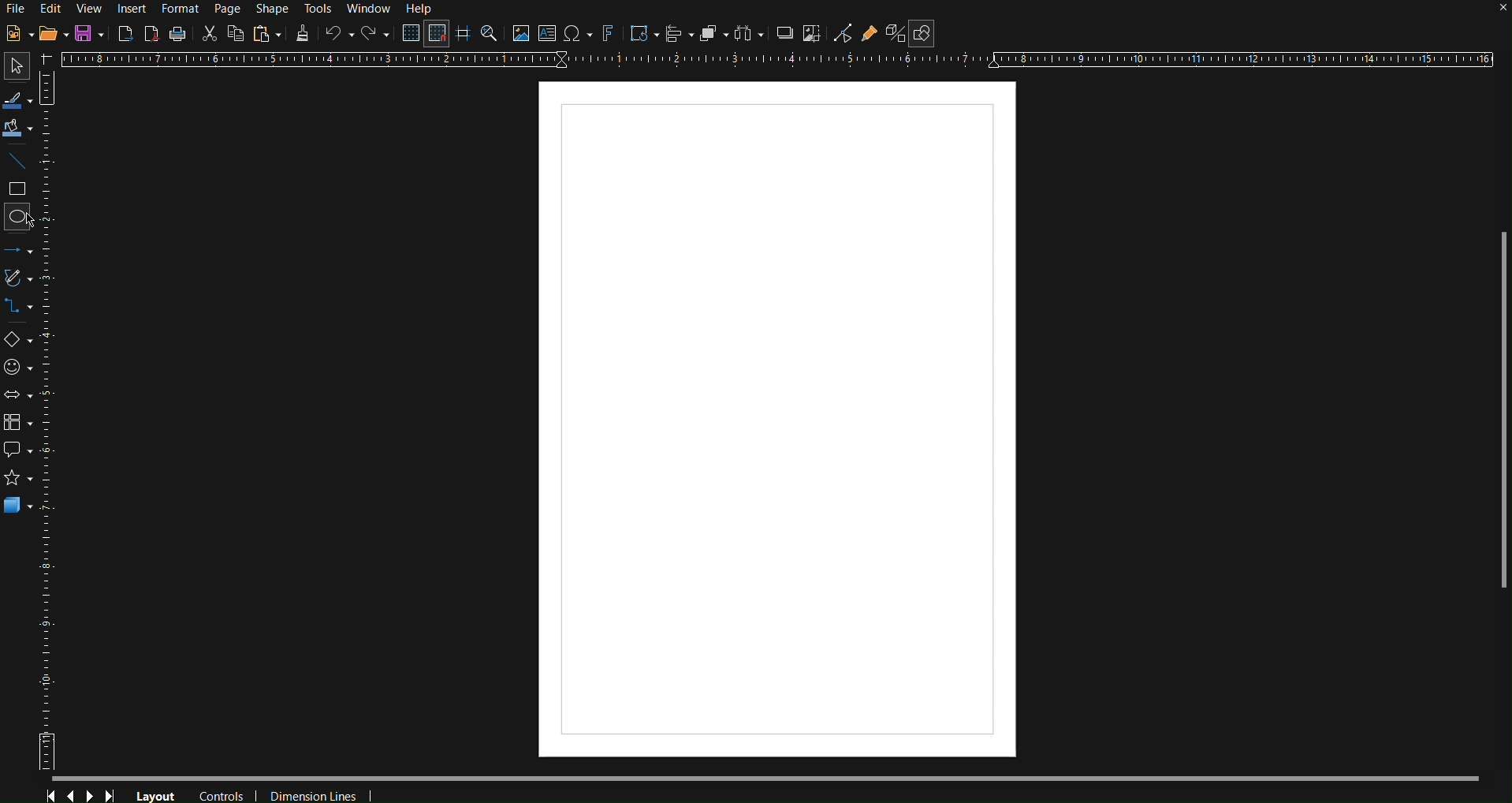 The height and width of the screenshot is (803, 1512). Describe the element at coordinates (22, 420) in the screenshot. I see `Flowchart` at that location.